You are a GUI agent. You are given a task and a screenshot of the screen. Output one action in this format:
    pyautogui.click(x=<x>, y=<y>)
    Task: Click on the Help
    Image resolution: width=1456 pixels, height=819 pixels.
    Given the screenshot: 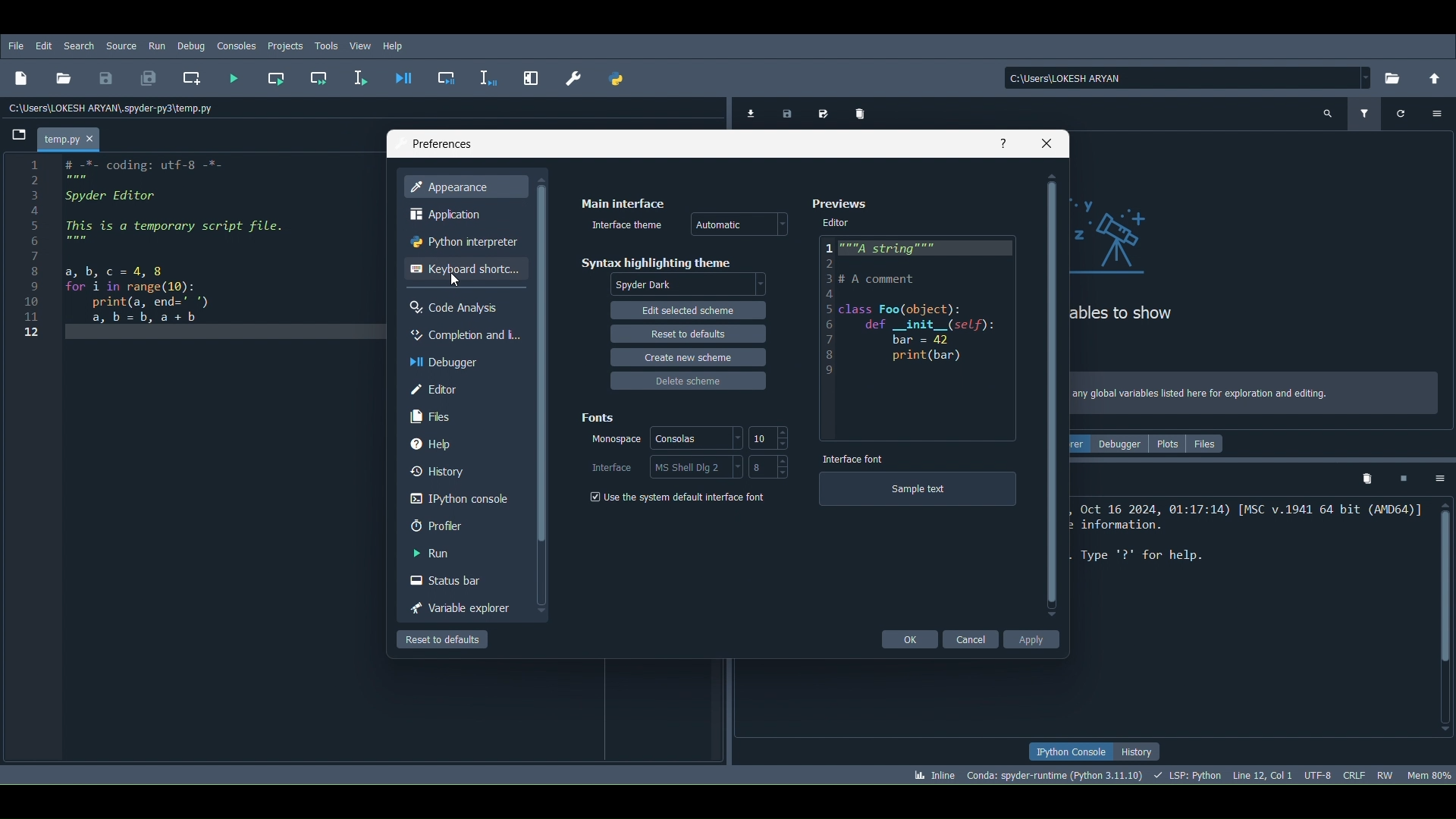 What is the action you would take?
    pyautogui.click(x=999, y=142)
    